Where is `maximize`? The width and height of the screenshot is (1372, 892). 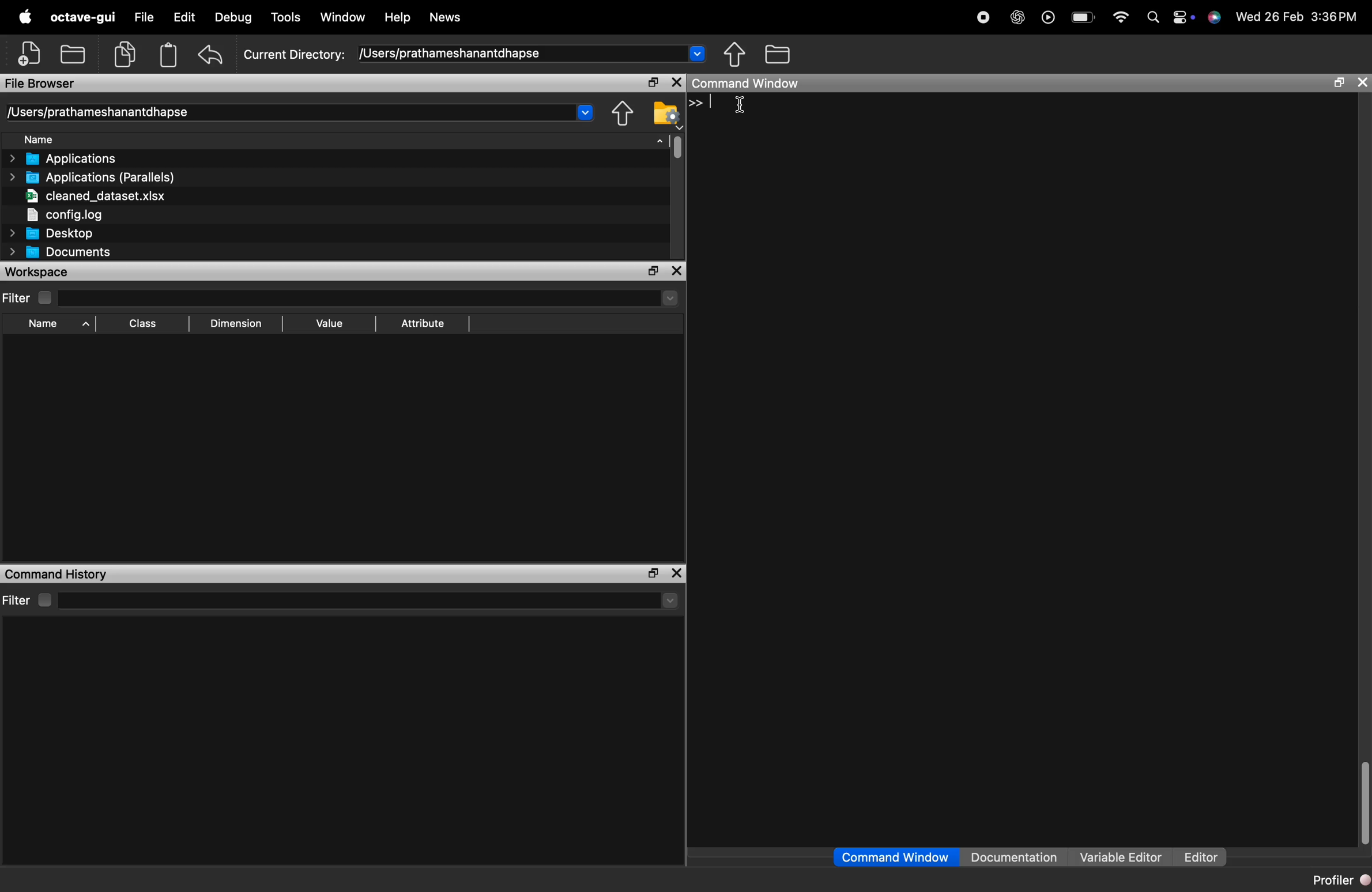
maximize is located at coordinates (653, 83).